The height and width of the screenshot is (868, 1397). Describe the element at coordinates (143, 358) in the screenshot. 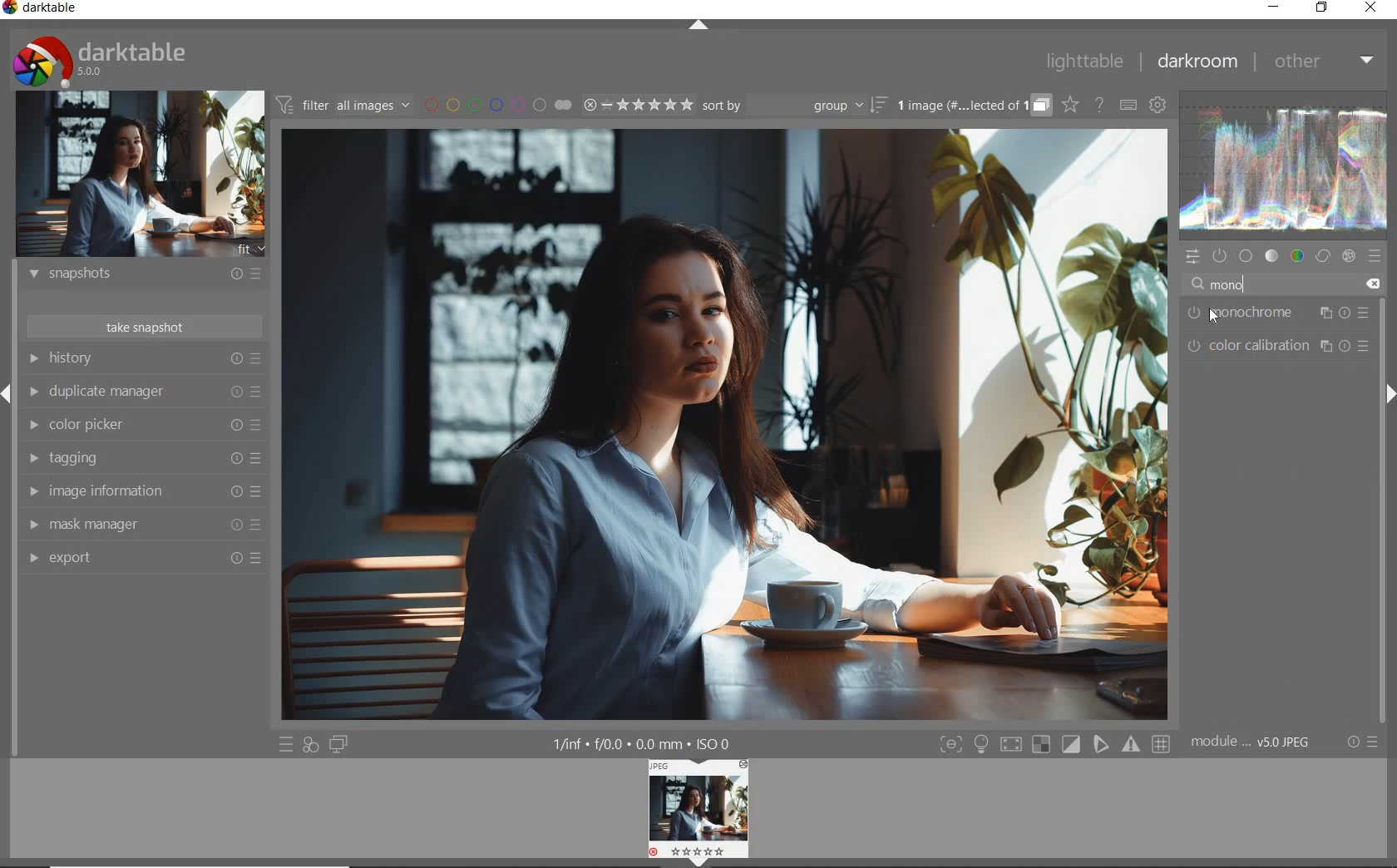

I see `history` at that location.